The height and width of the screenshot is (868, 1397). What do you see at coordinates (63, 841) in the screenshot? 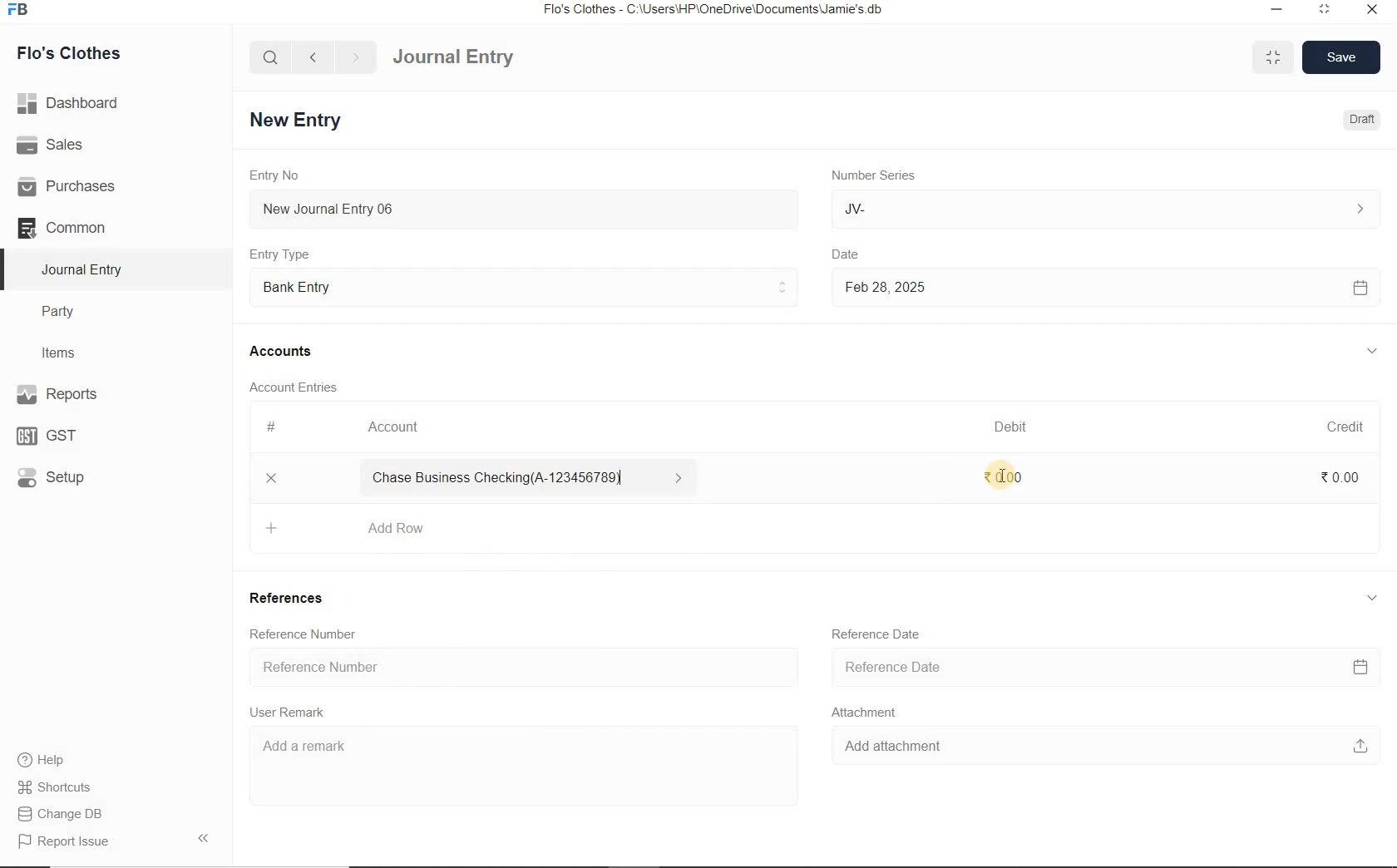
I see `Report Issue` at bounding box center [63, 841].